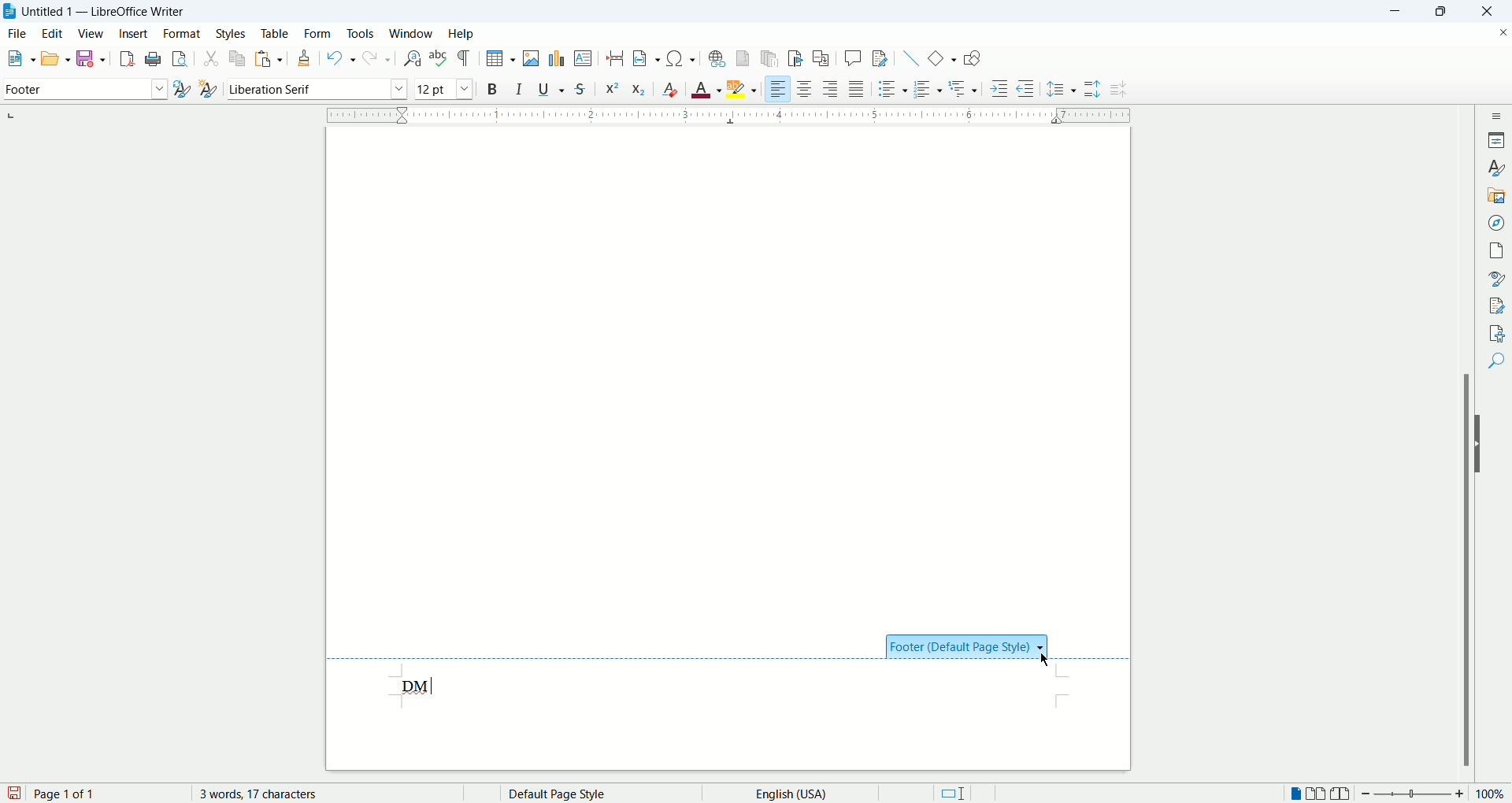 This screenshot has width=1512, height=803. I want to click on styles, so click(1498, 168).